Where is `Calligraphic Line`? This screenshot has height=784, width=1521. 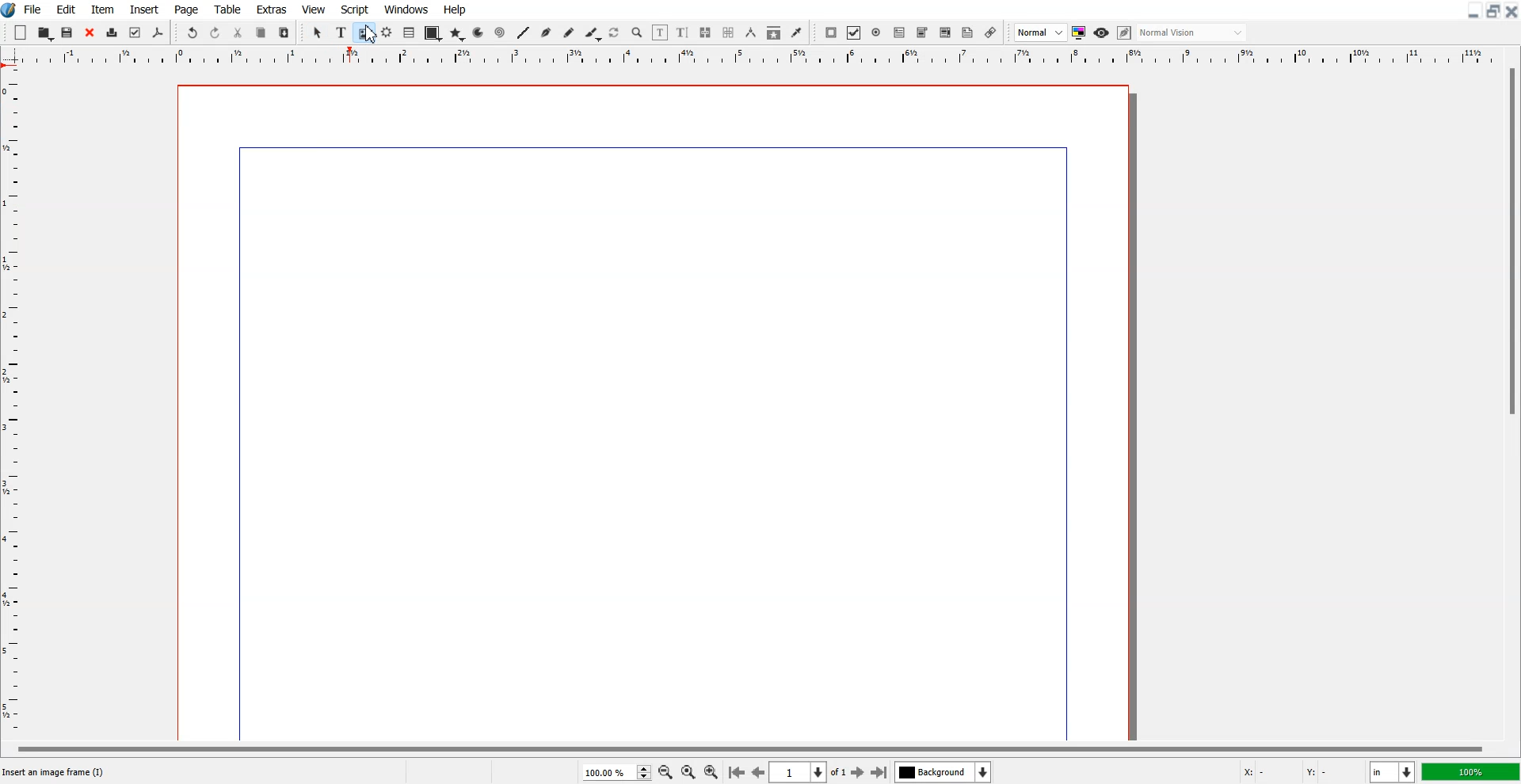 Calligraphic Line is located at coordinates (592, 33).